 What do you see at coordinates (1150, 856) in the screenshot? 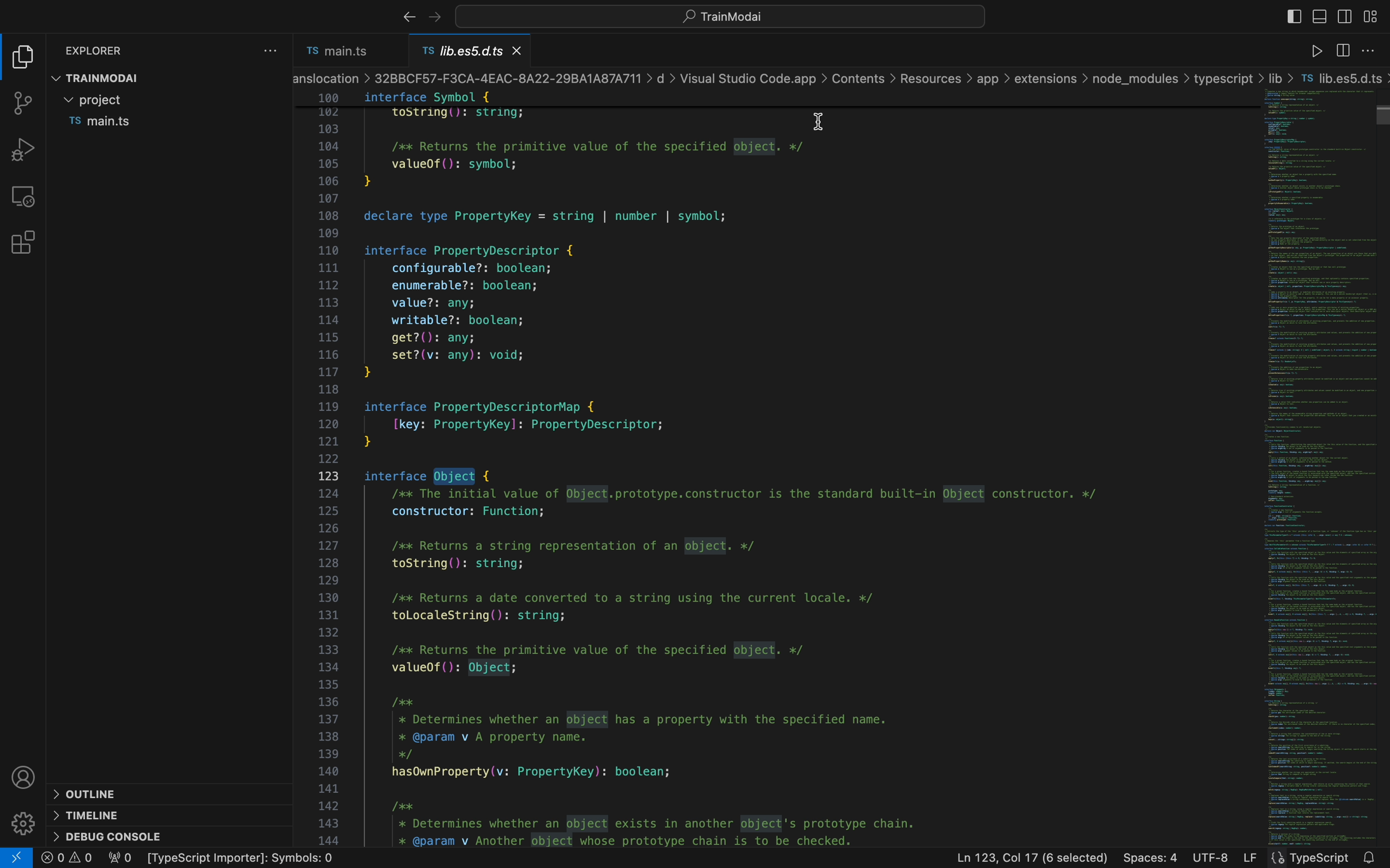
I see `Spaces : 4` at bounding box center [1150, 856].